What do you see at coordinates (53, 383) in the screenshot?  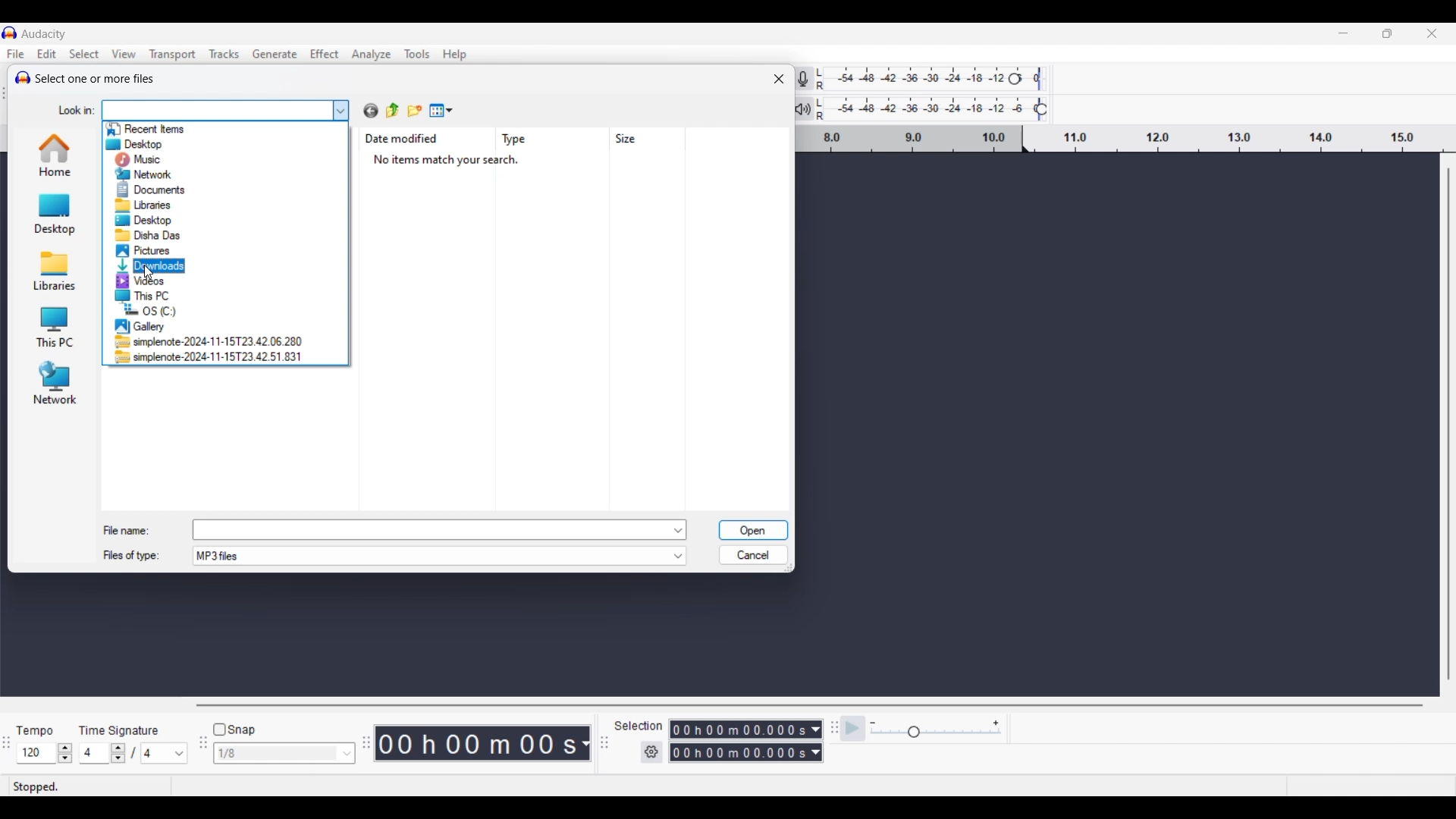 I see `Network folder` at bounding box center [53, 383].